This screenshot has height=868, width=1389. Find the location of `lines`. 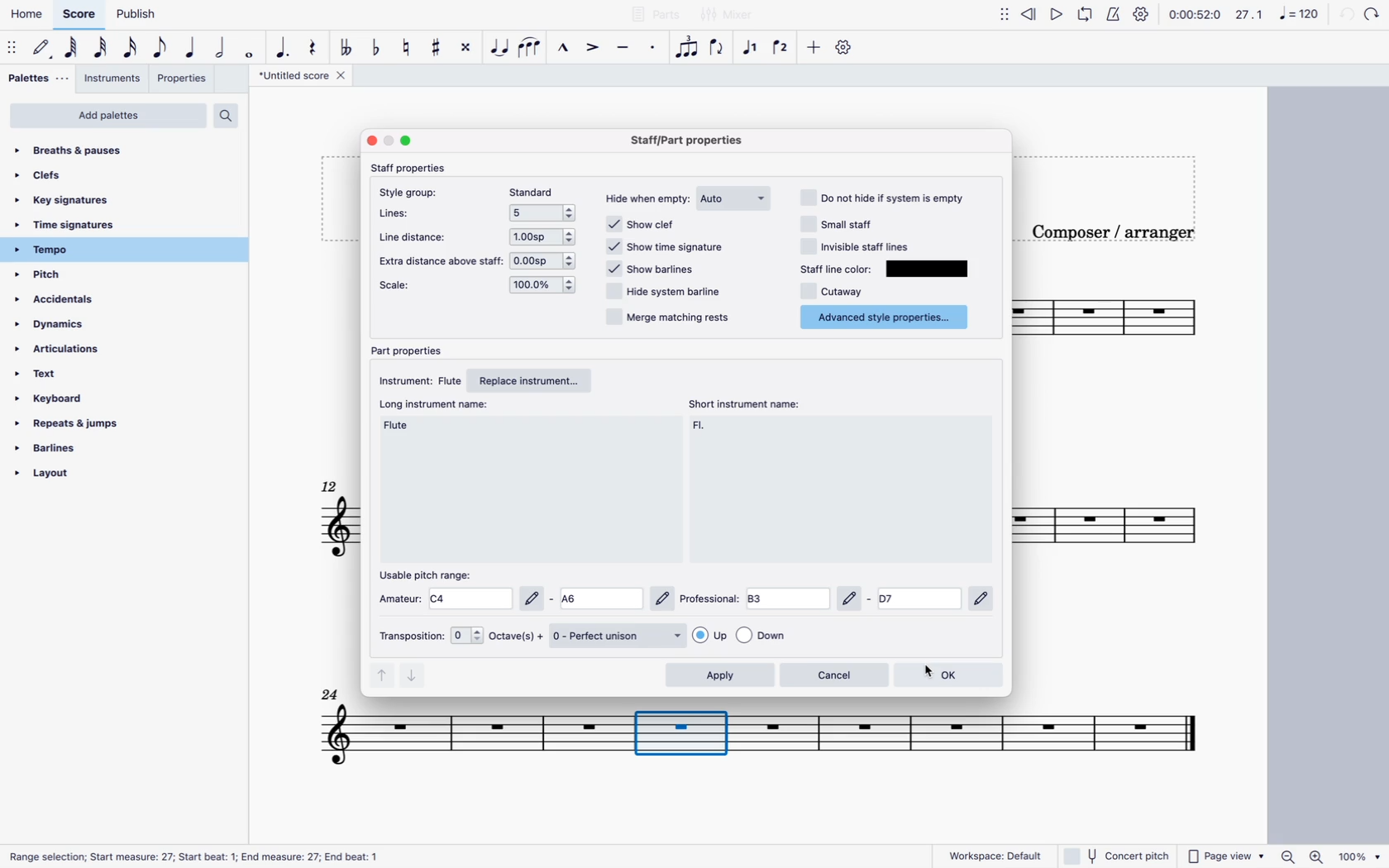

lines is located at coordinates (406, 213).